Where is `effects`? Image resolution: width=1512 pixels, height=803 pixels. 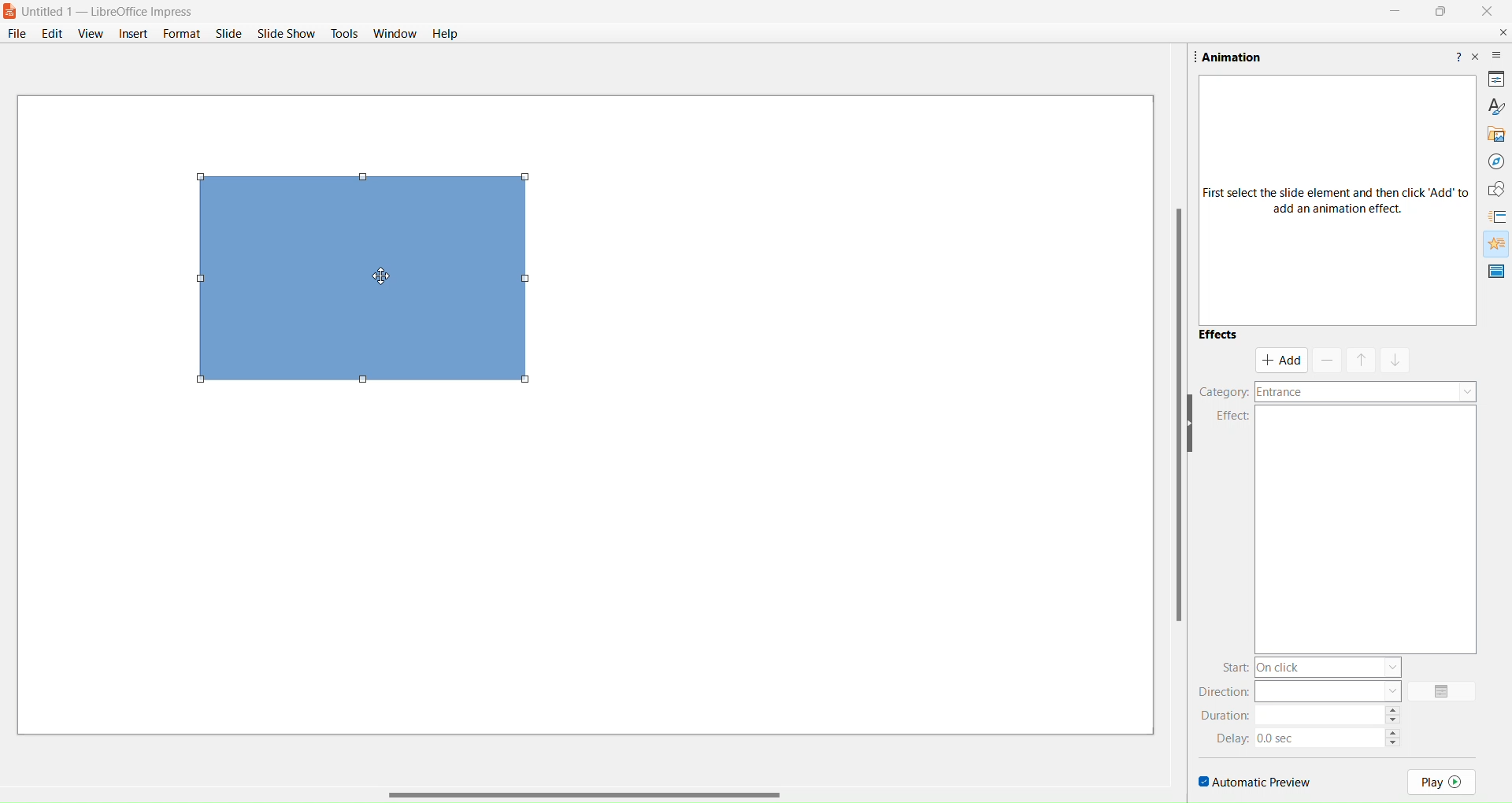
effects is located at coordinates (1224, 416).